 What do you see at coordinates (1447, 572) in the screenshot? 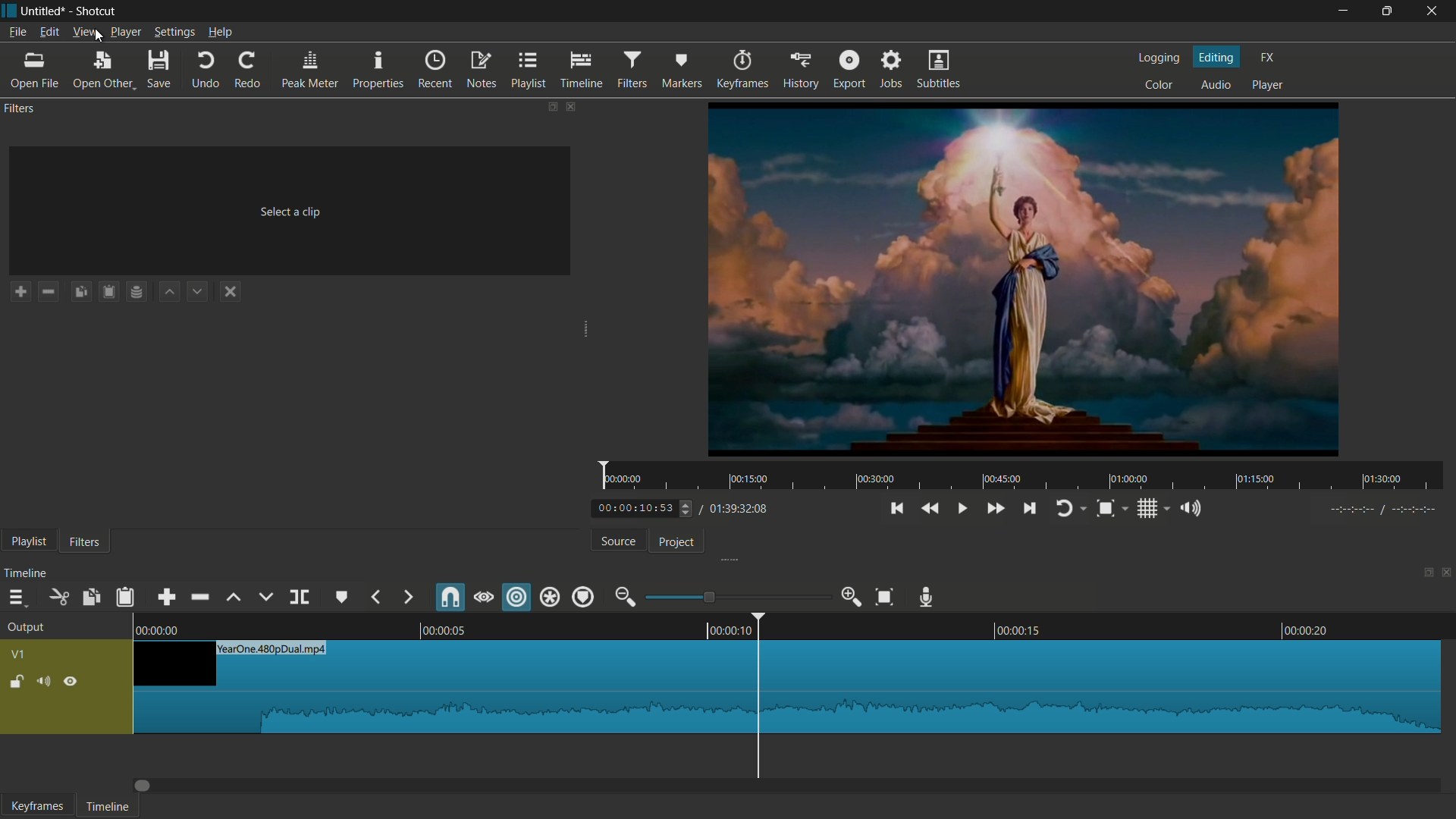
I see `close timeline` at bounding box center [1447, 572].